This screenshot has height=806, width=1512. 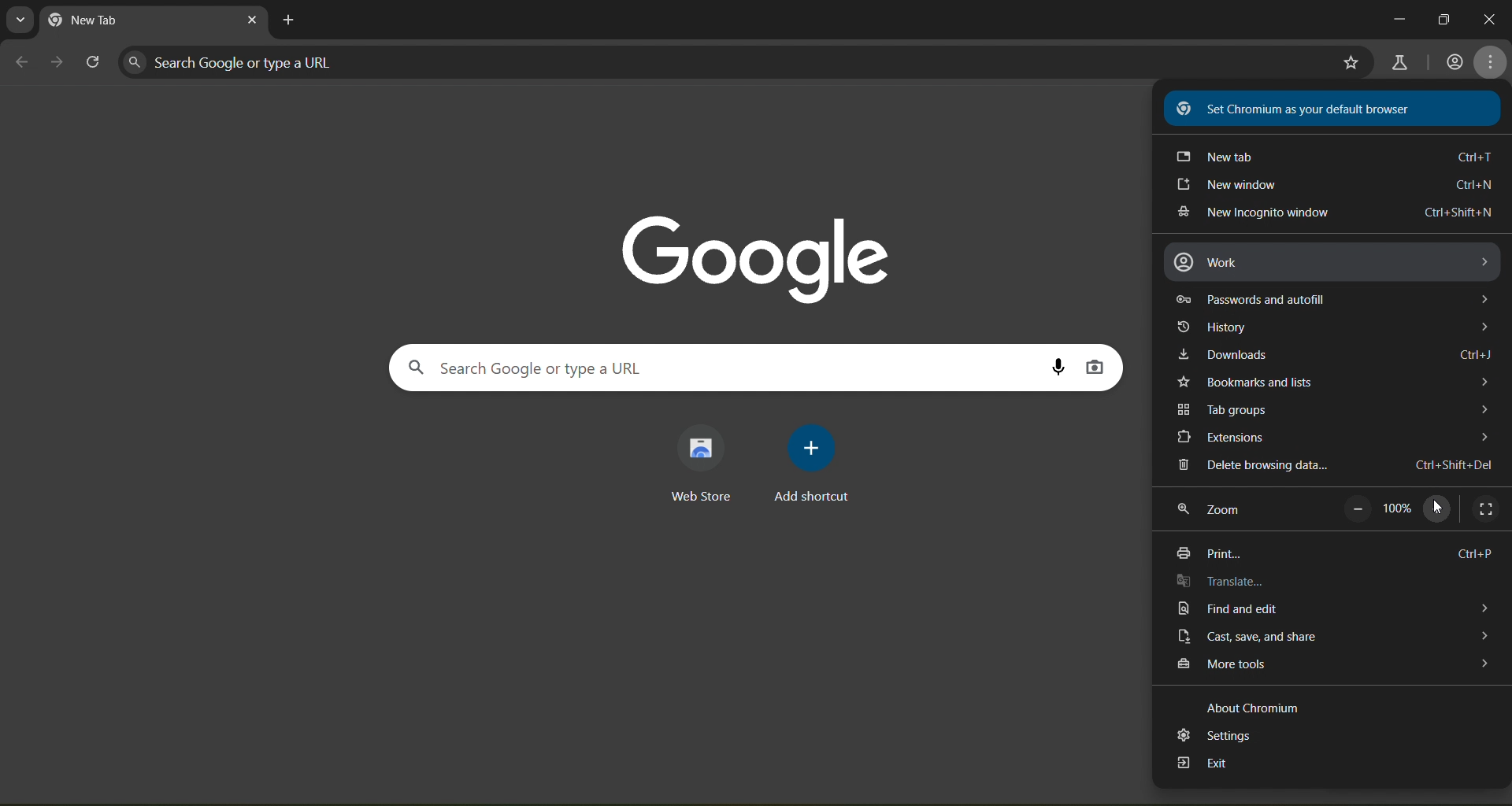 I want to click on new window, so click(x=1333, y=187).